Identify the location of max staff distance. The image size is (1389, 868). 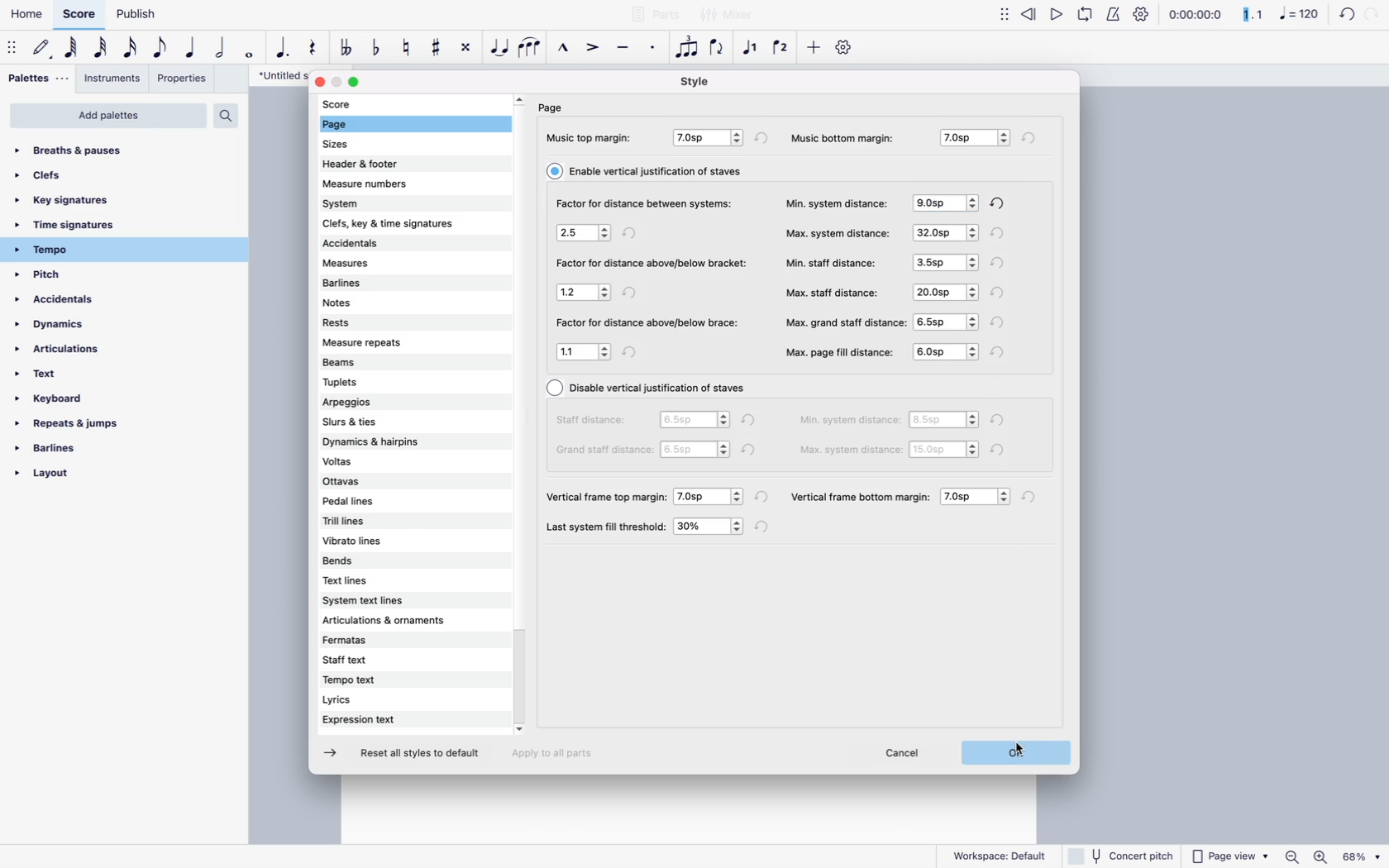
(833, 292).